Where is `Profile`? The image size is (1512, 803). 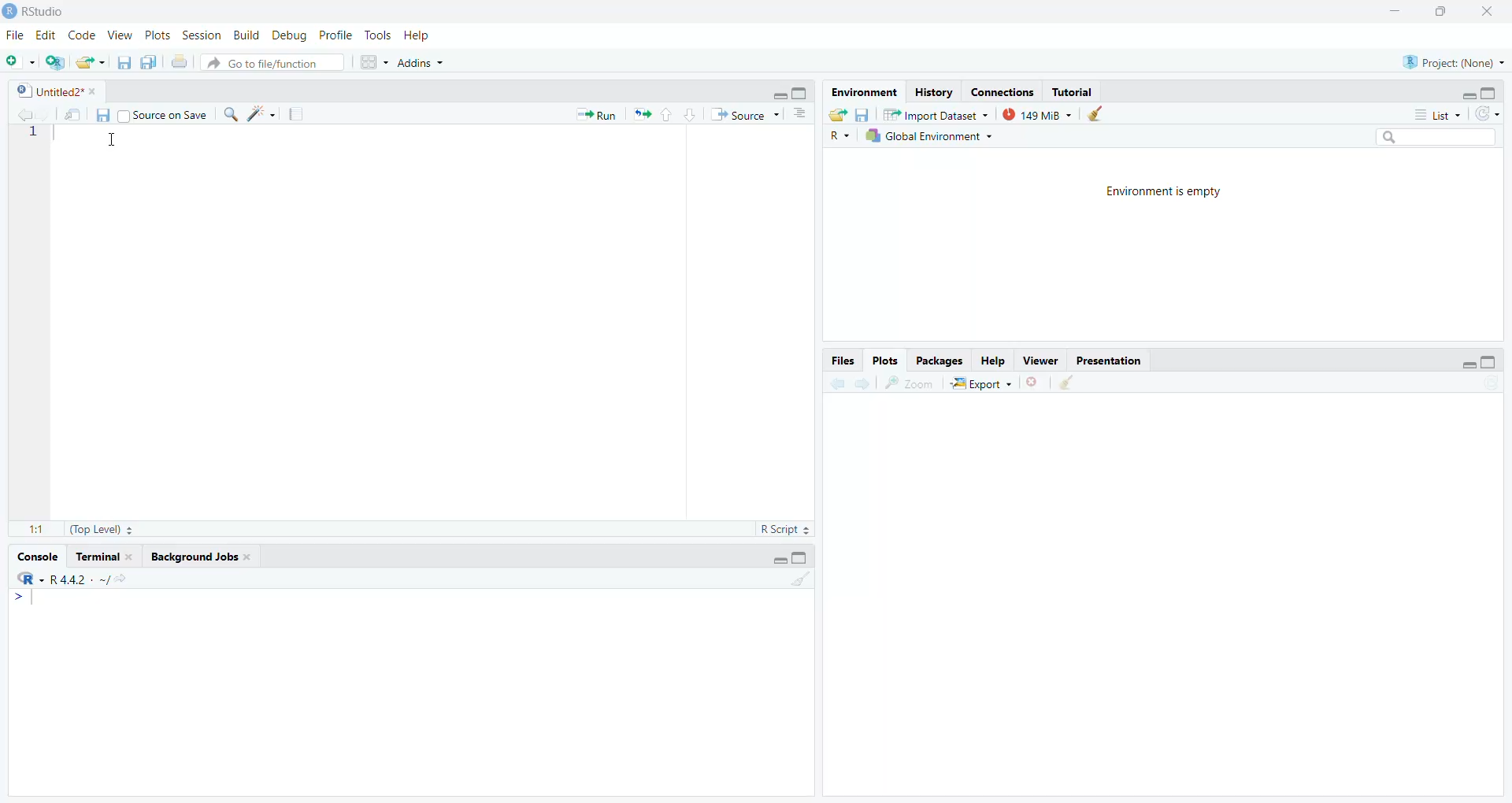 Profile is located at coordinates (334, 33).